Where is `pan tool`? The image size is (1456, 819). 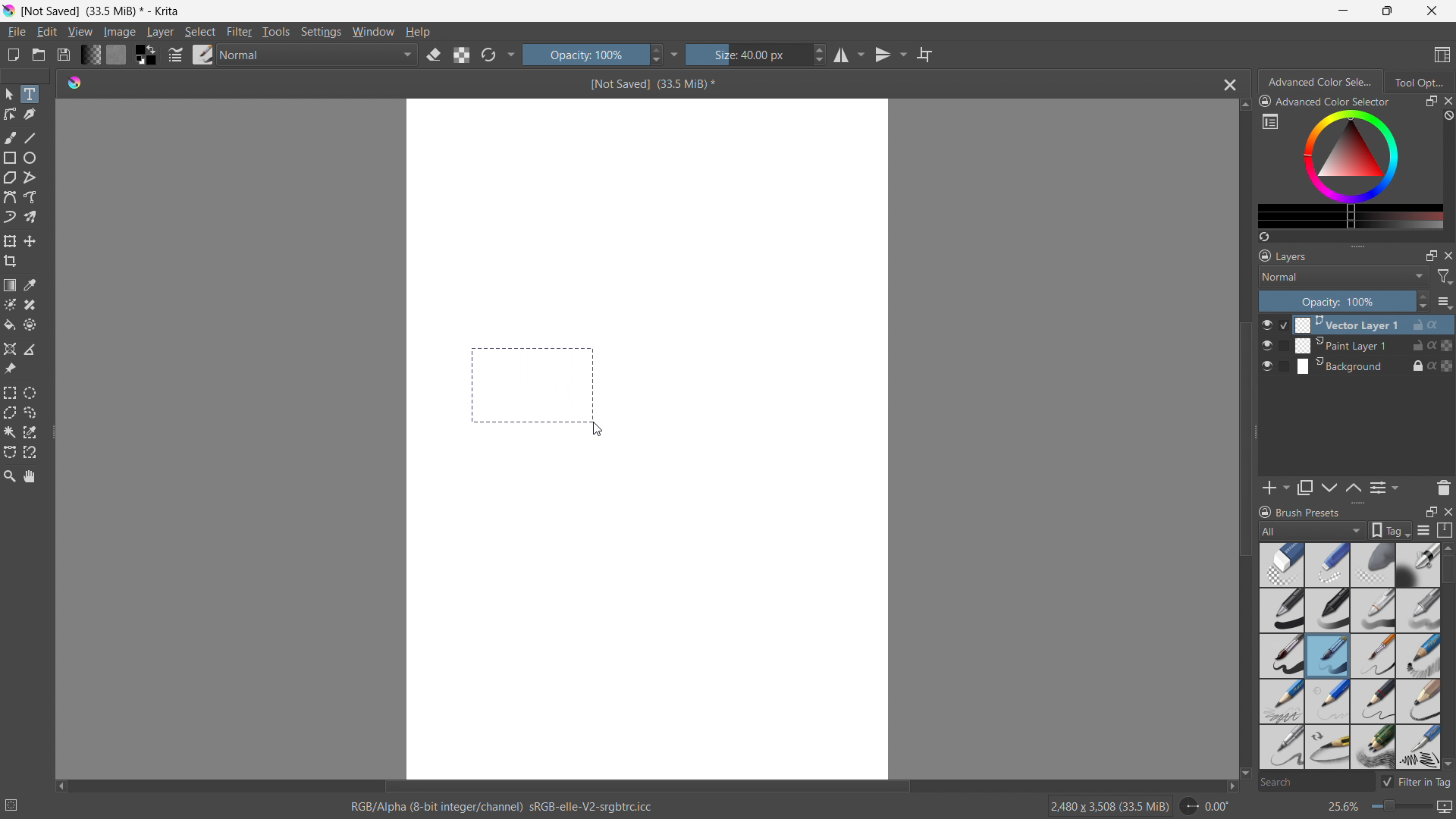
pan tool is located at coordinates (30, 476).